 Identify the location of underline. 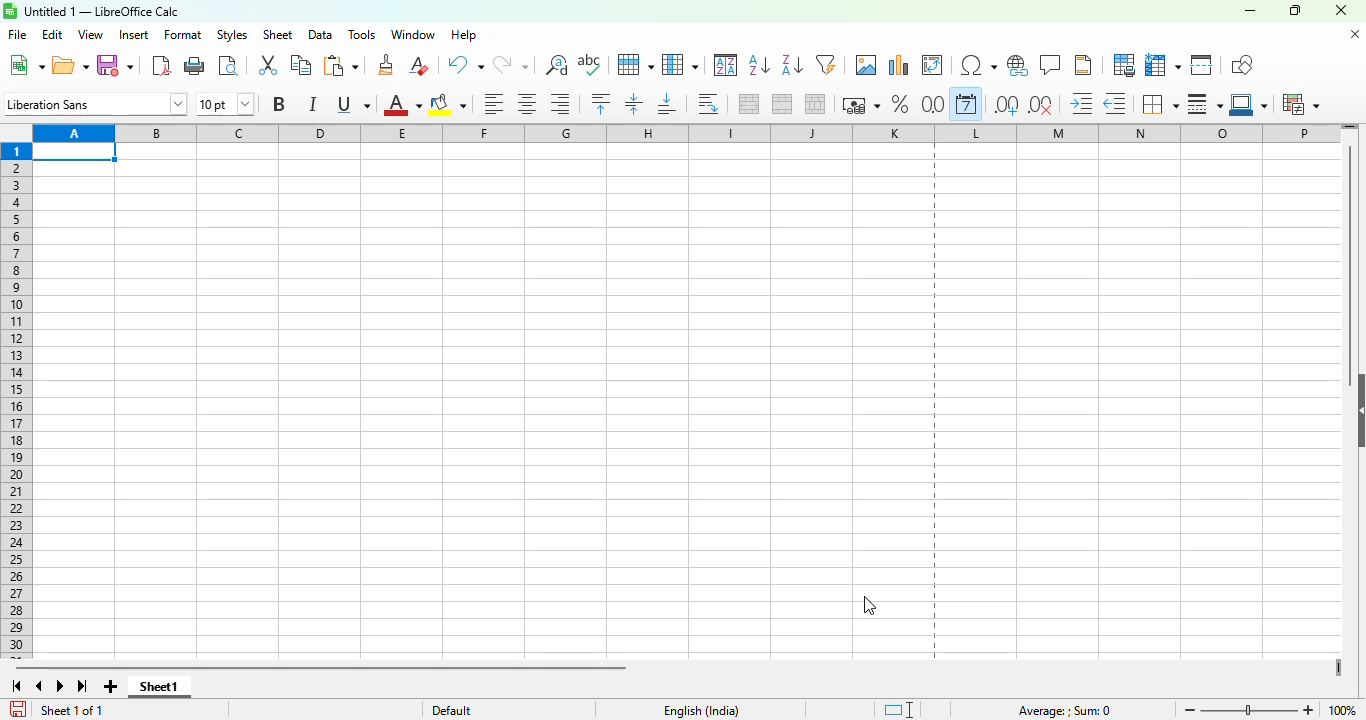
(353, 105).